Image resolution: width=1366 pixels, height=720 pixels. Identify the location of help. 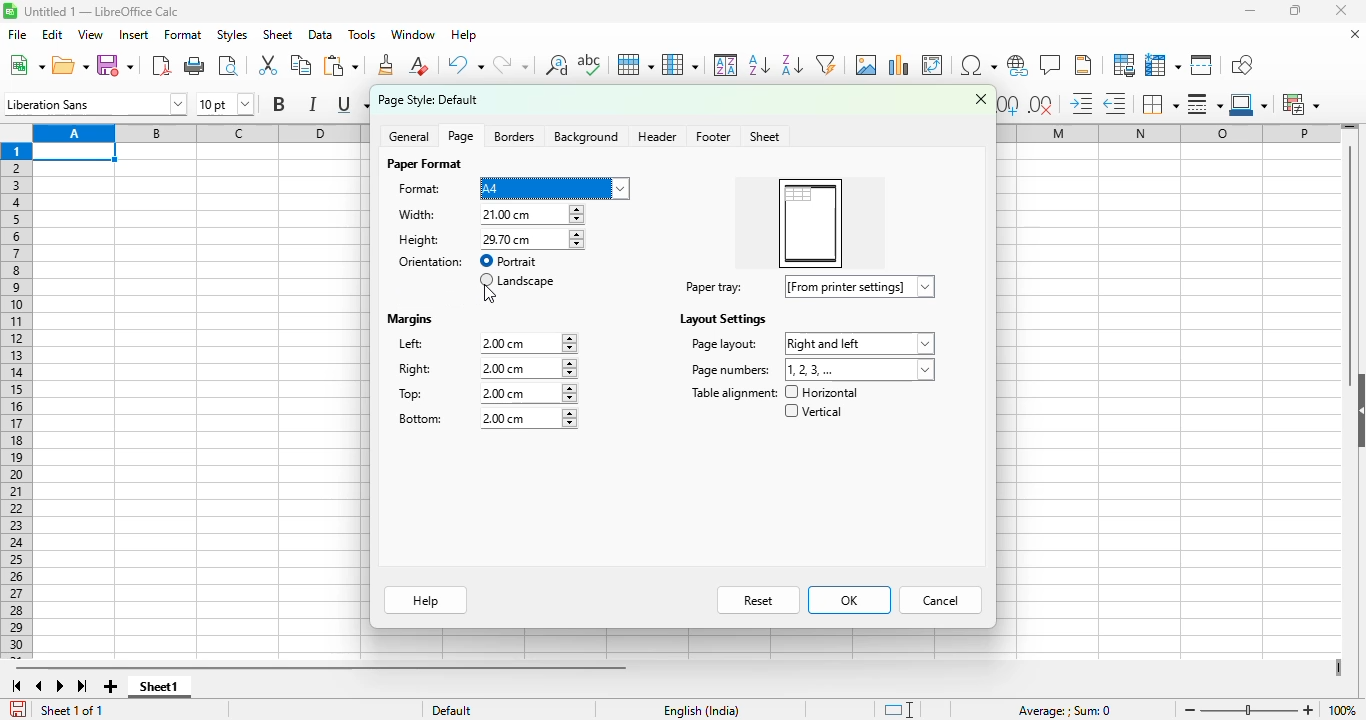
(464, 34).